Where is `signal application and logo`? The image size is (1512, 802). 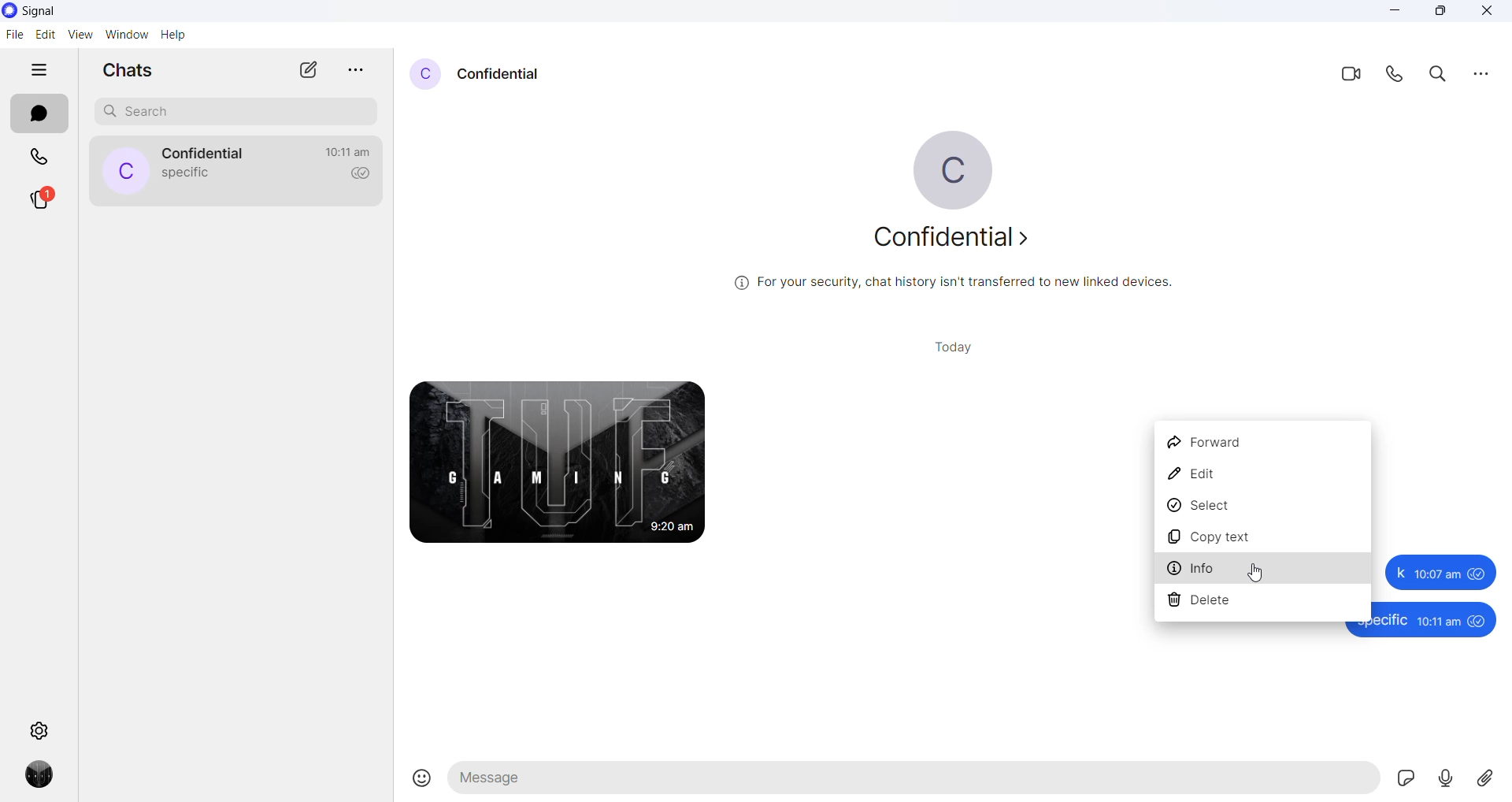 signal application and logo is located at coordinates (55, 13).